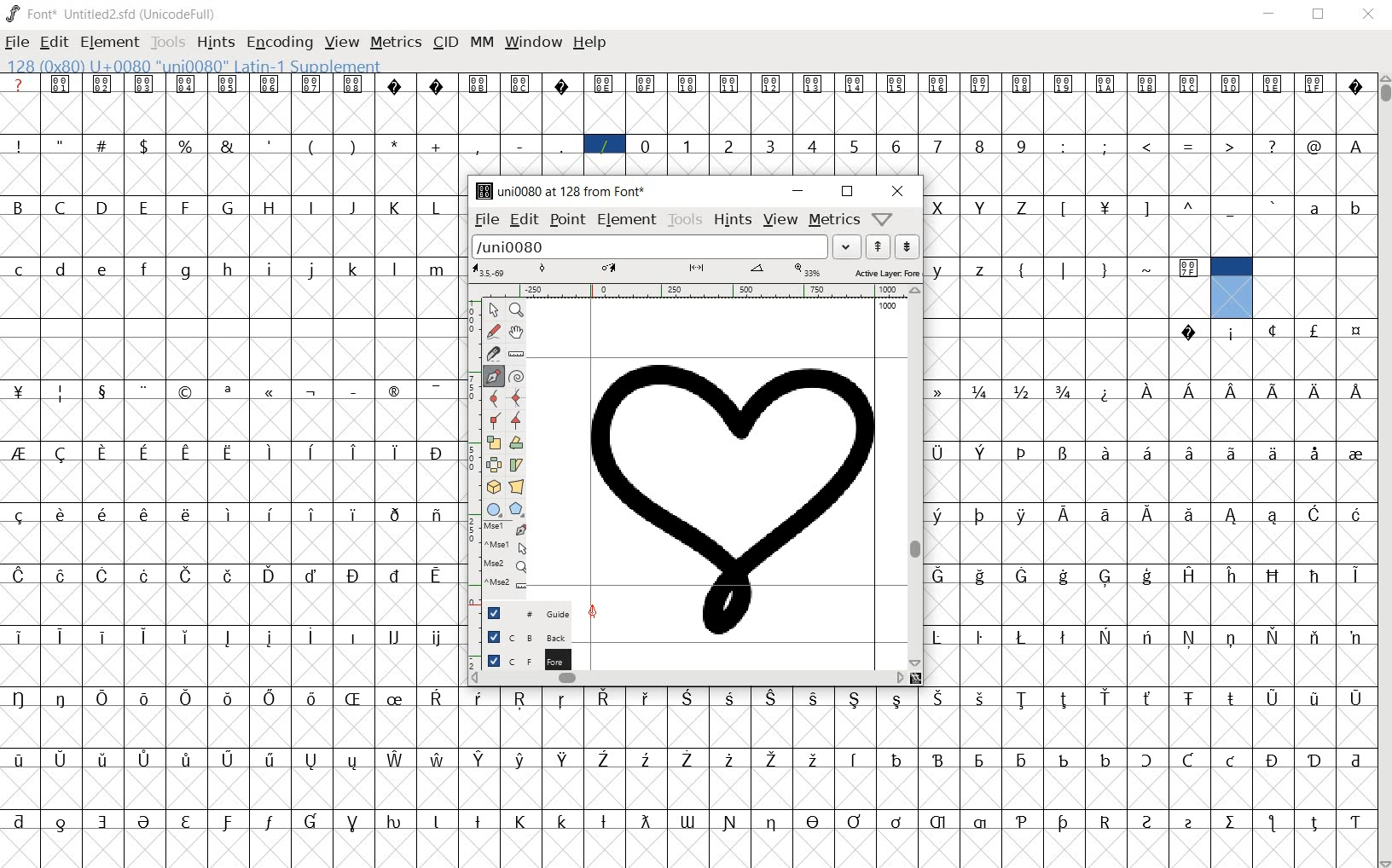 This screenshot has width=1392, height=868. Describe the element at coordinates (354, 84) in the screenshot. I see `glyph` at that location.